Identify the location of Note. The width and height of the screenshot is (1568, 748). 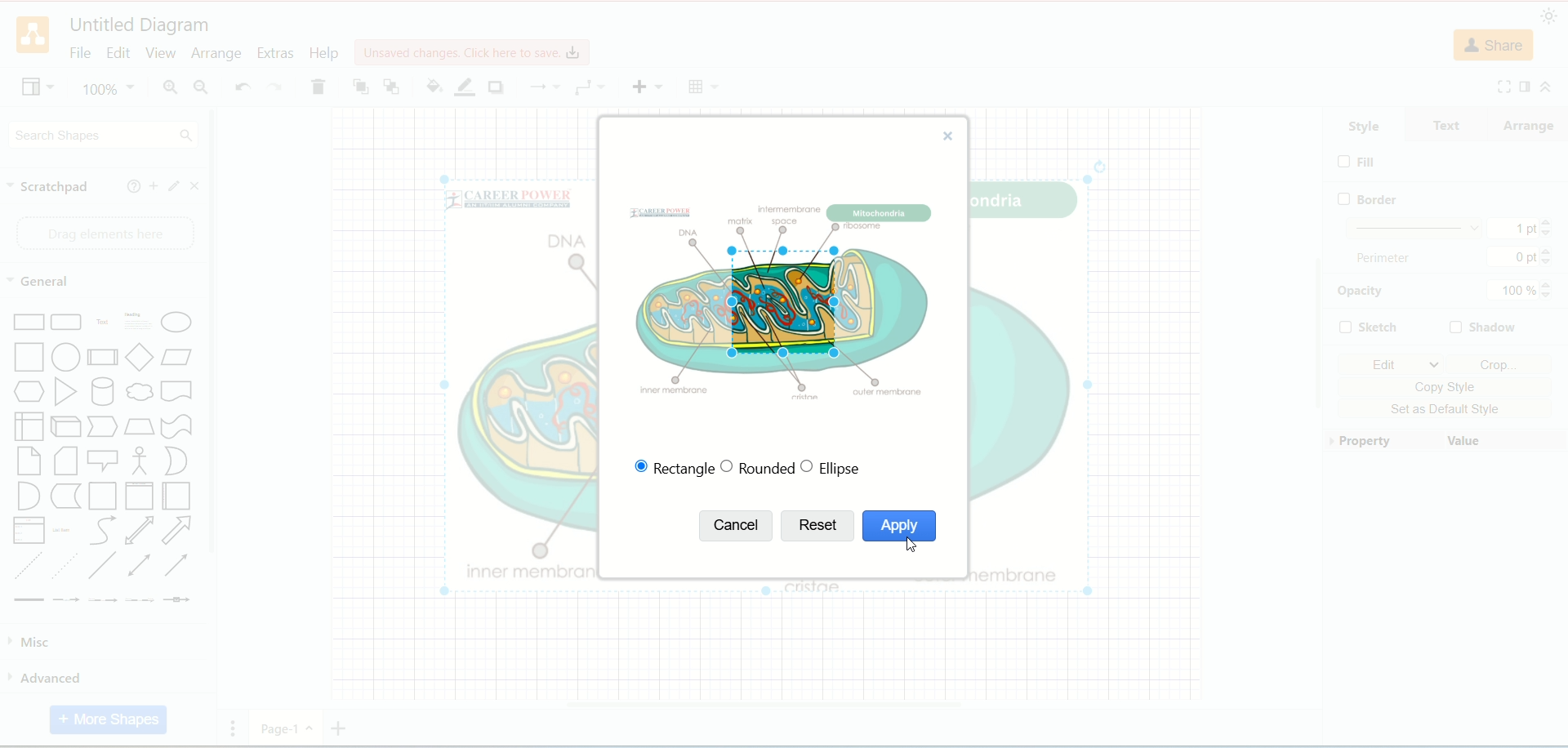
(67, 462).